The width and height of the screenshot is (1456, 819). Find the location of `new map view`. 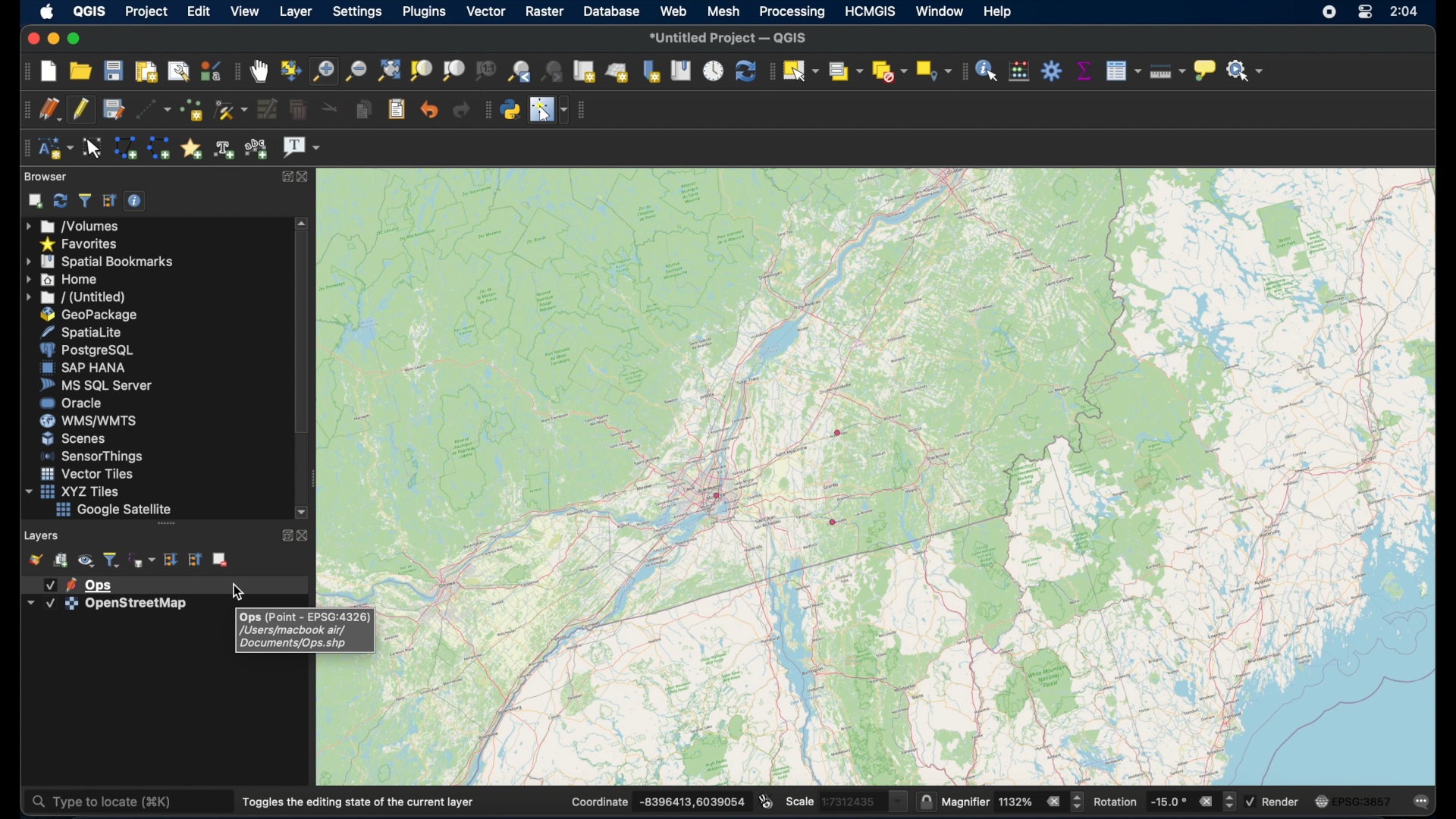

new map view is located at coordinates (583, 71).